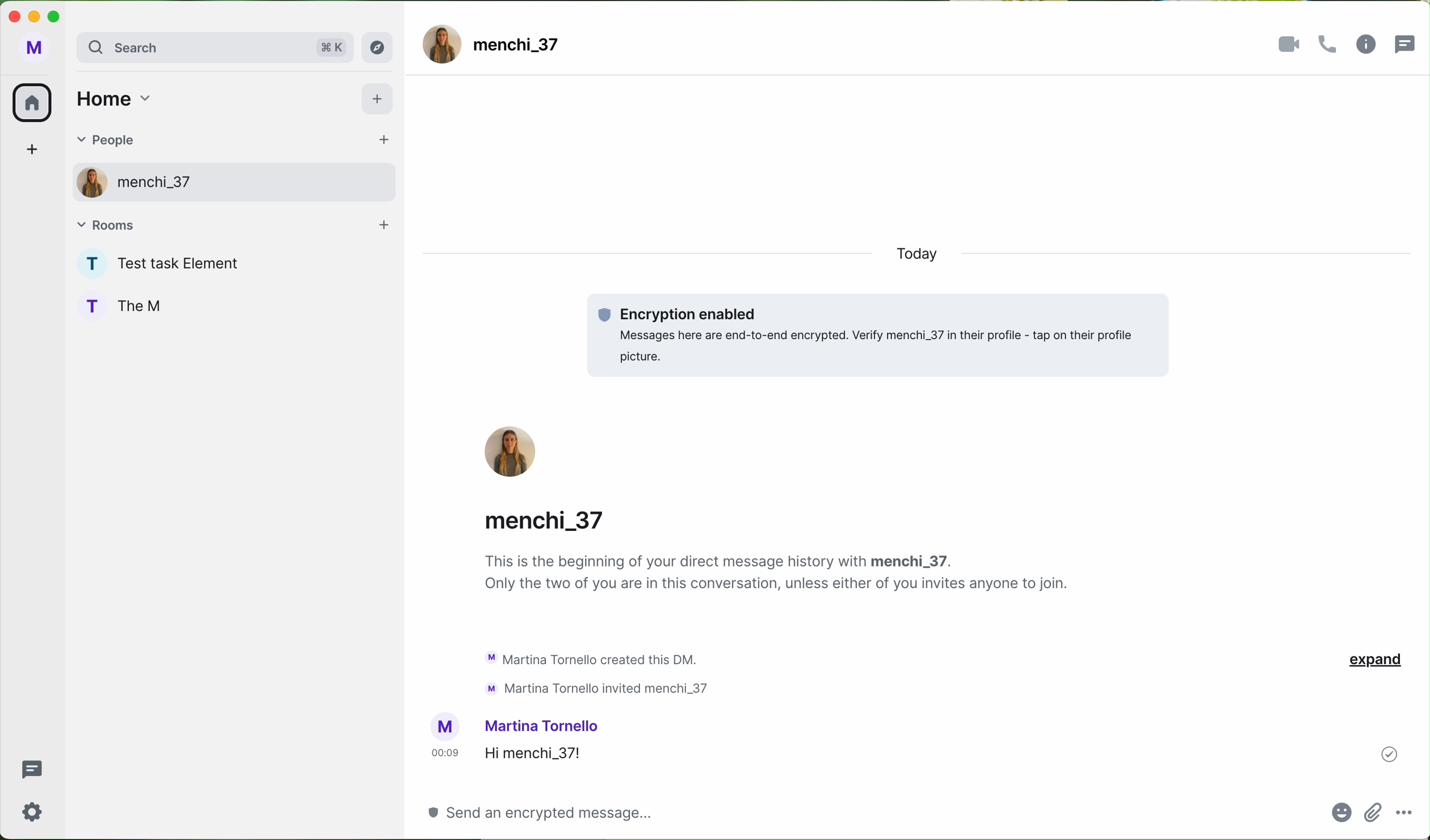 Image resolution: width=1430 pixels, height=840 pixels. What do you see at coordinates (600, 686) in the screenshot?
I see `text` at bounding box center [600, 686].